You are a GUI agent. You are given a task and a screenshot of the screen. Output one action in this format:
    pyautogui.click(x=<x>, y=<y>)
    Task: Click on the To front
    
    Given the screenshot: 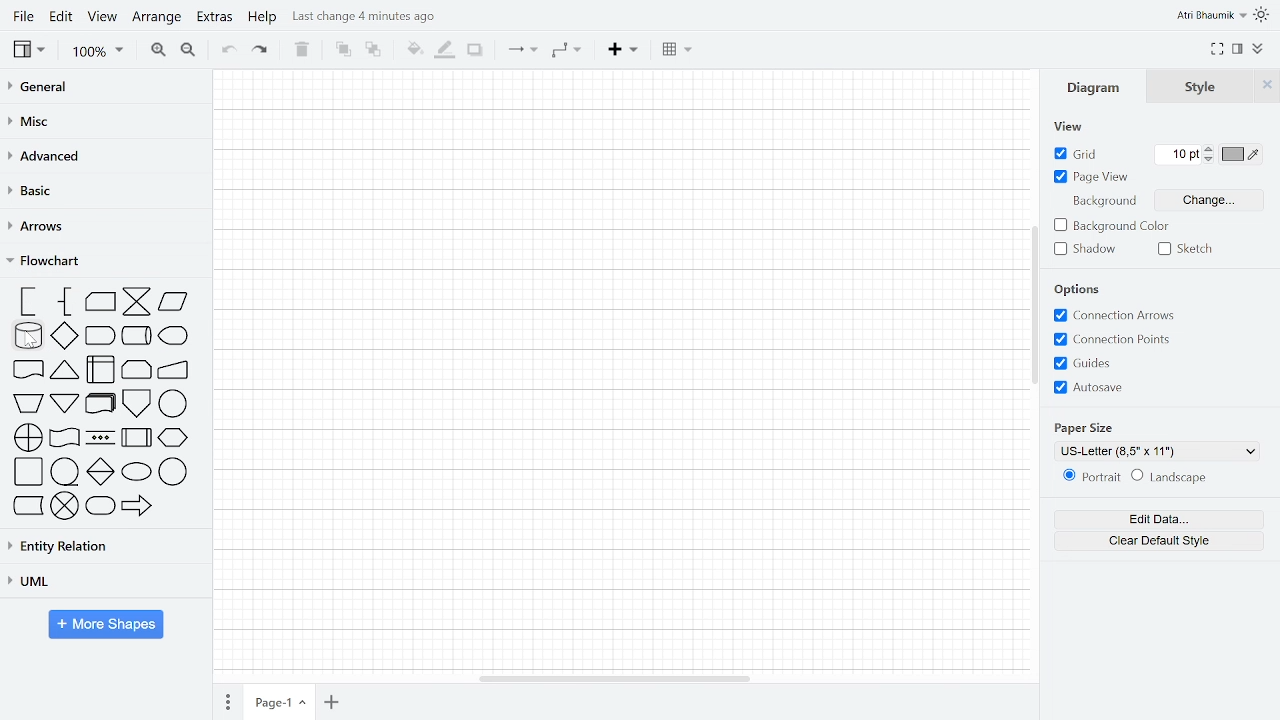 What is the action you would take?
    pyautogui.click(x=343, y=51)
    